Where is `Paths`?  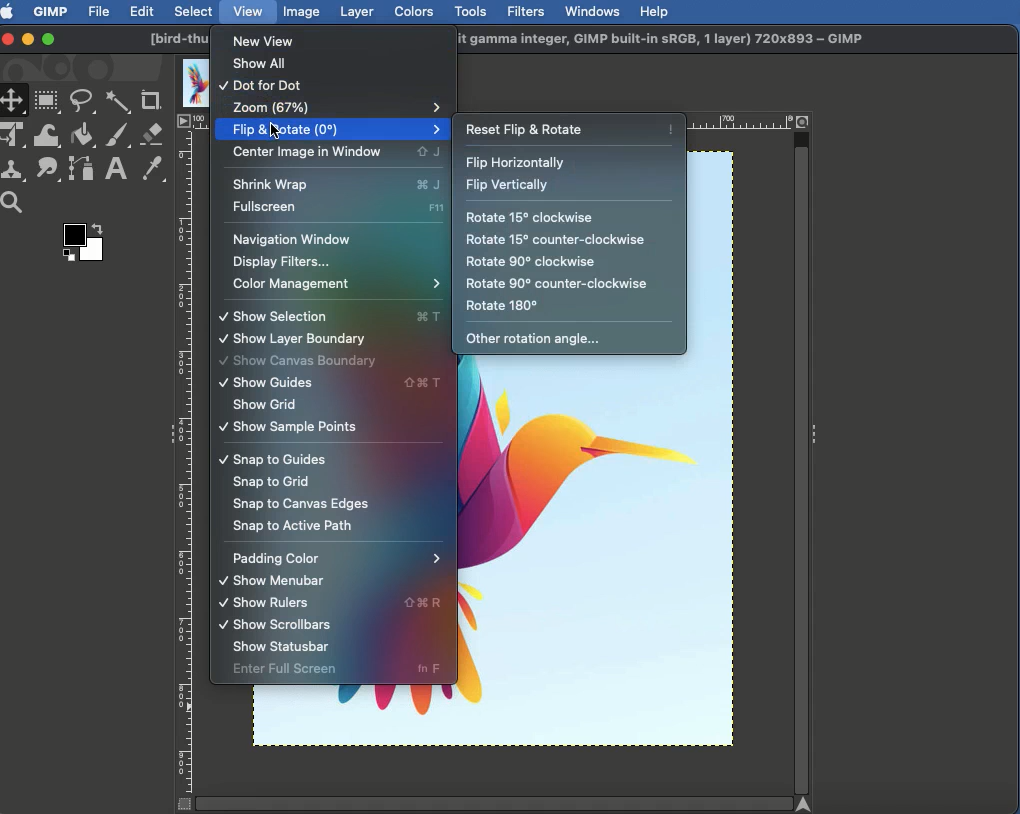
Paths is located at coordinates (80, 172).